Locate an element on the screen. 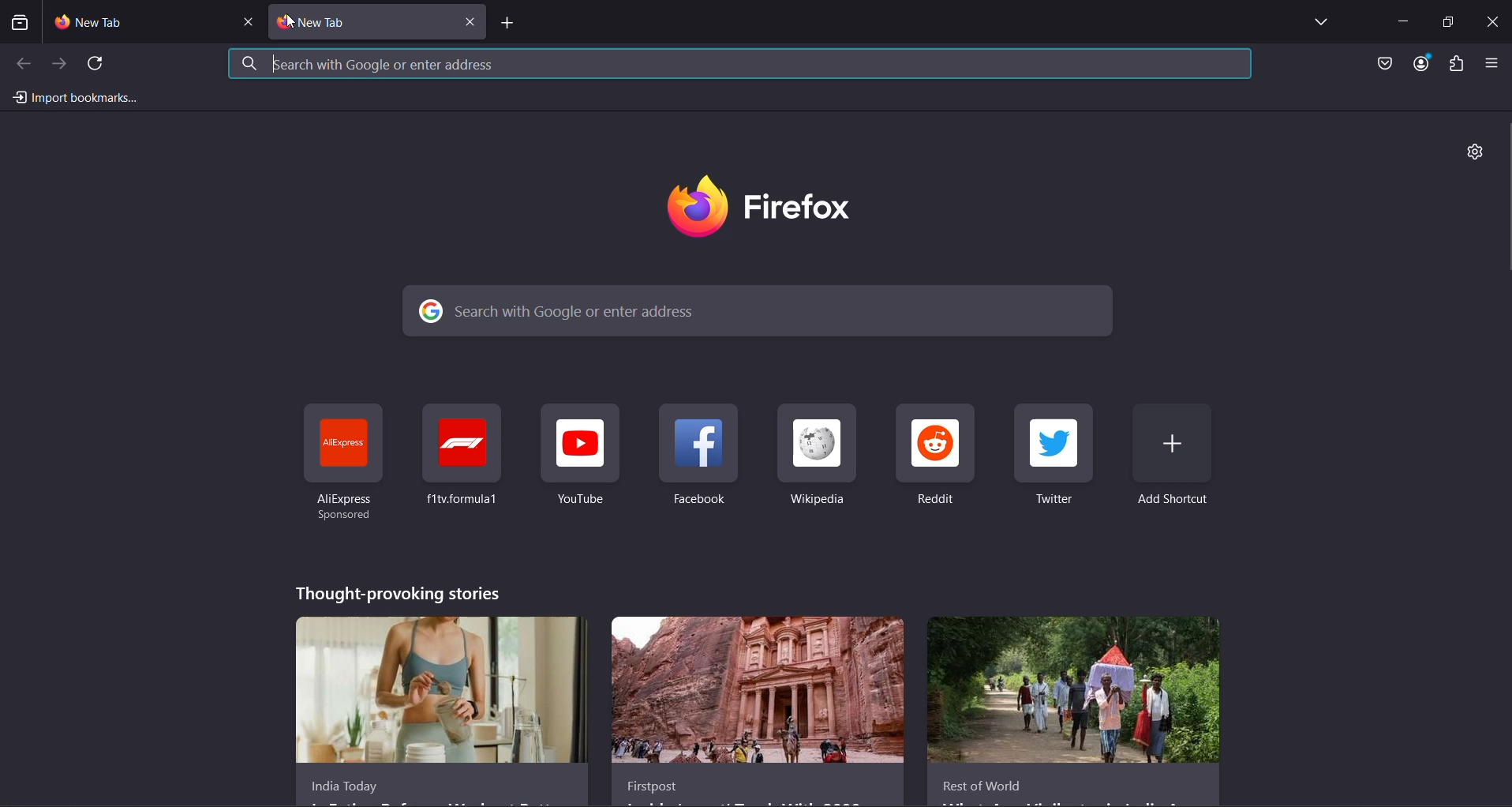 Image resolution: width=1512 pixels, height=807 pixels. add page is located at coordinates (507, 23).